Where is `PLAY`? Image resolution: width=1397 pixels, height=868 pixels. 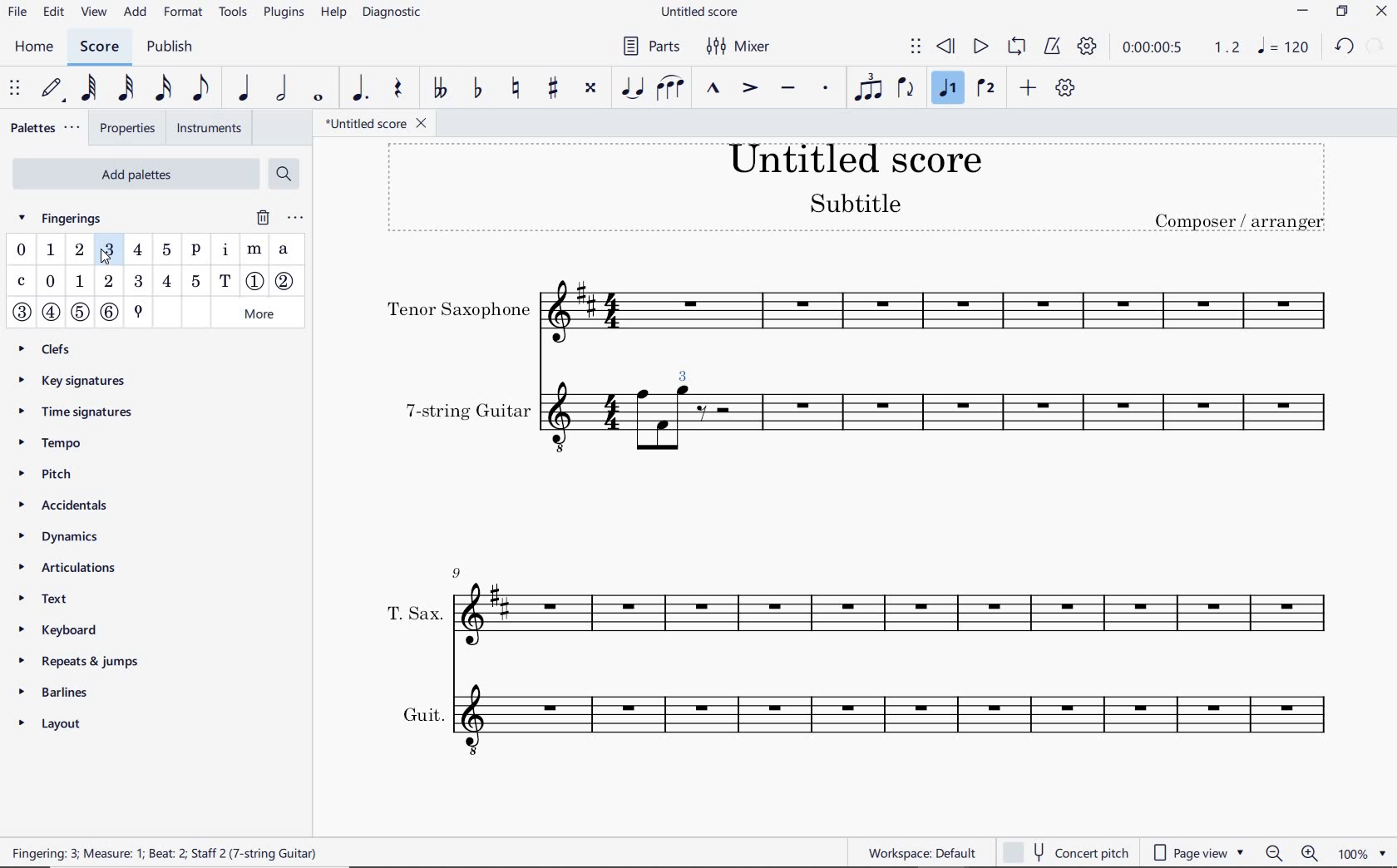
PLAY is located at coordinates (980, 47).